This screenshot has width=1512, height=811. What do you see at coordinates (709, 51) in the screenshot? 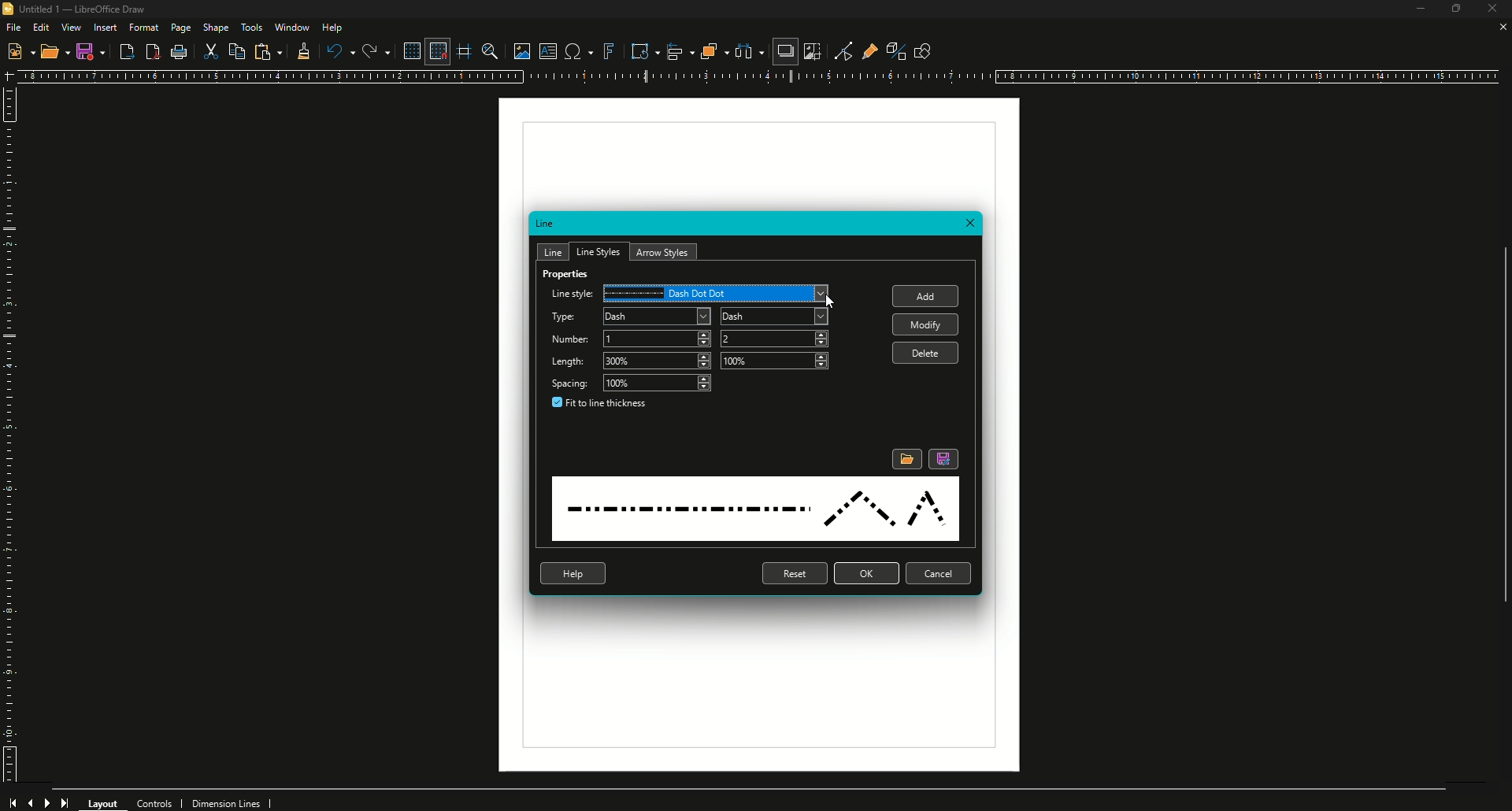
I see `Arrange` at bounding box center [709, 51].